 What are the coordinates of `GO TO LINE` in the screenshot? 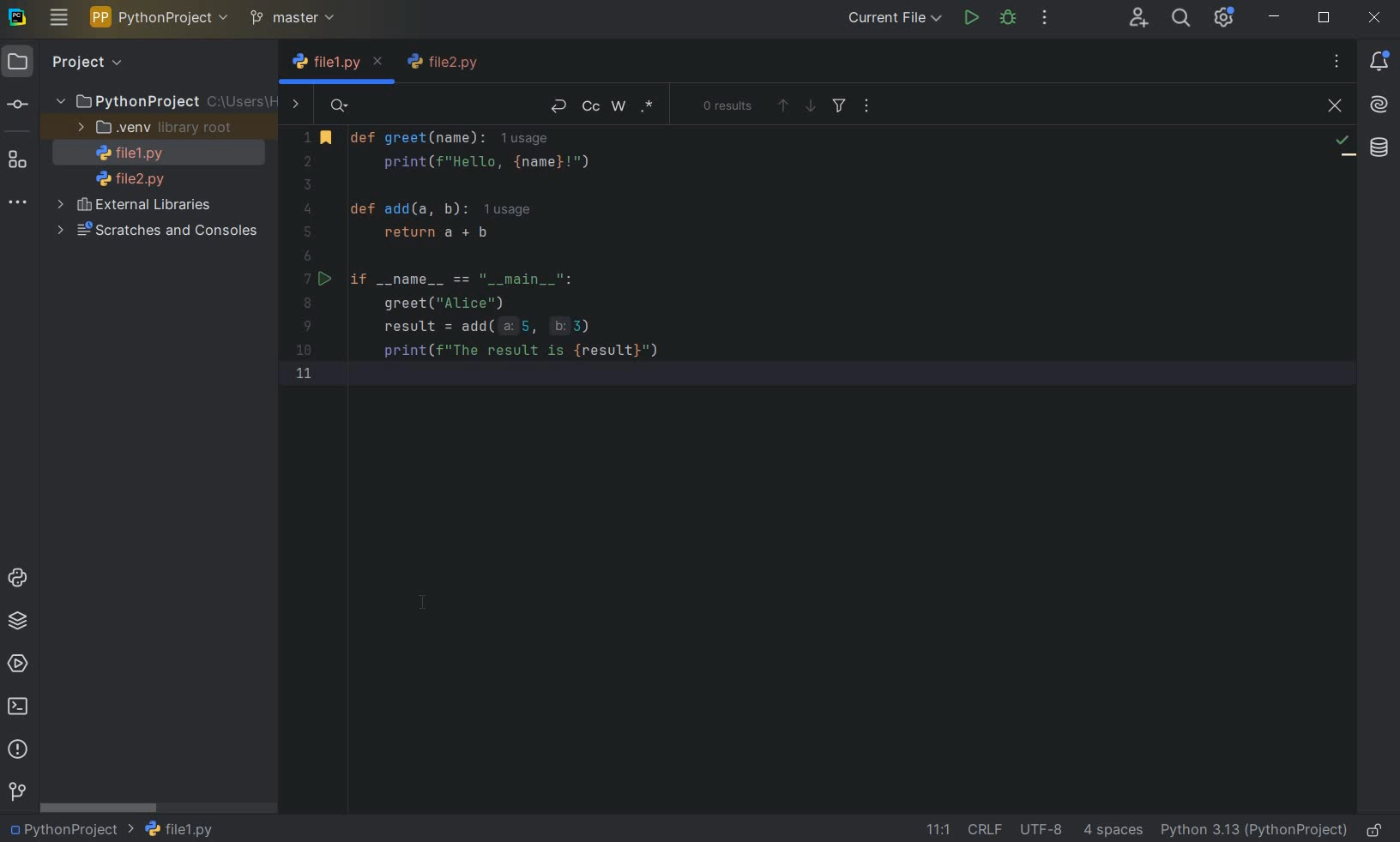 It's located at (936, 827).